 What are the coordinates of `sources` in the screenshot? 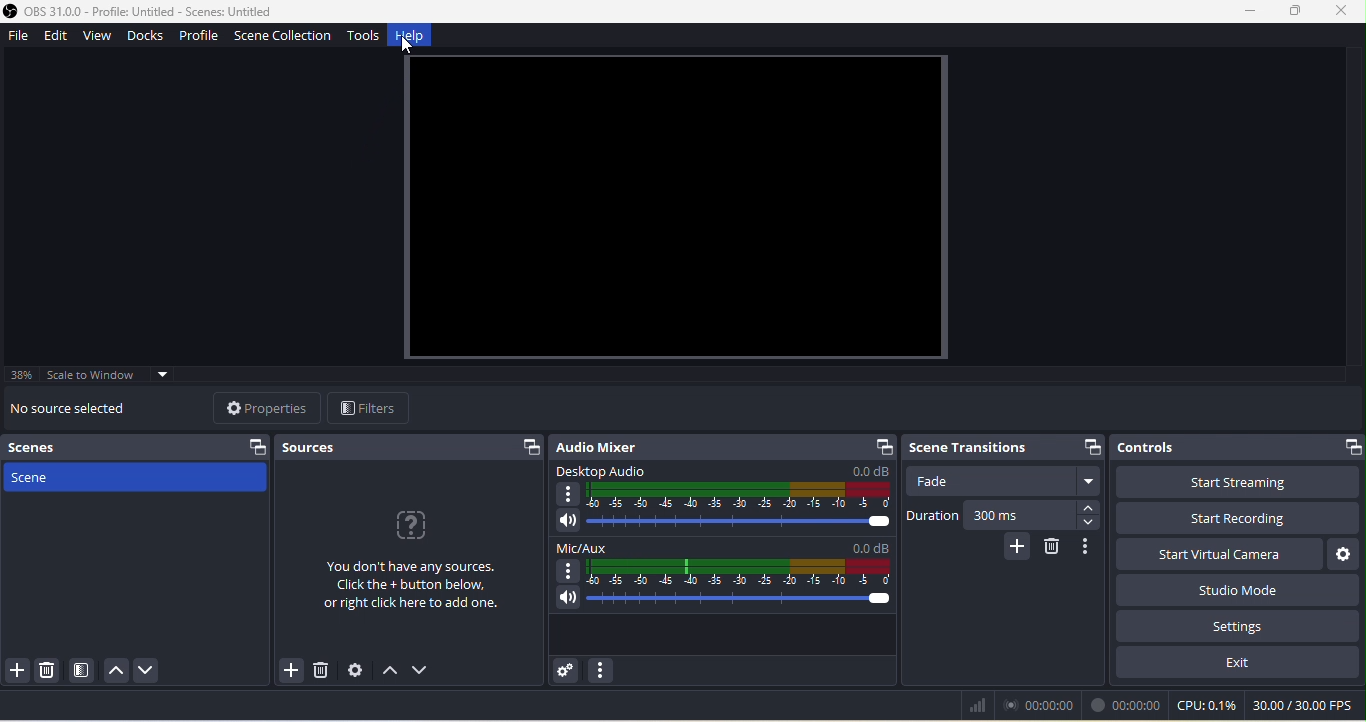 It's located at (411, 447).